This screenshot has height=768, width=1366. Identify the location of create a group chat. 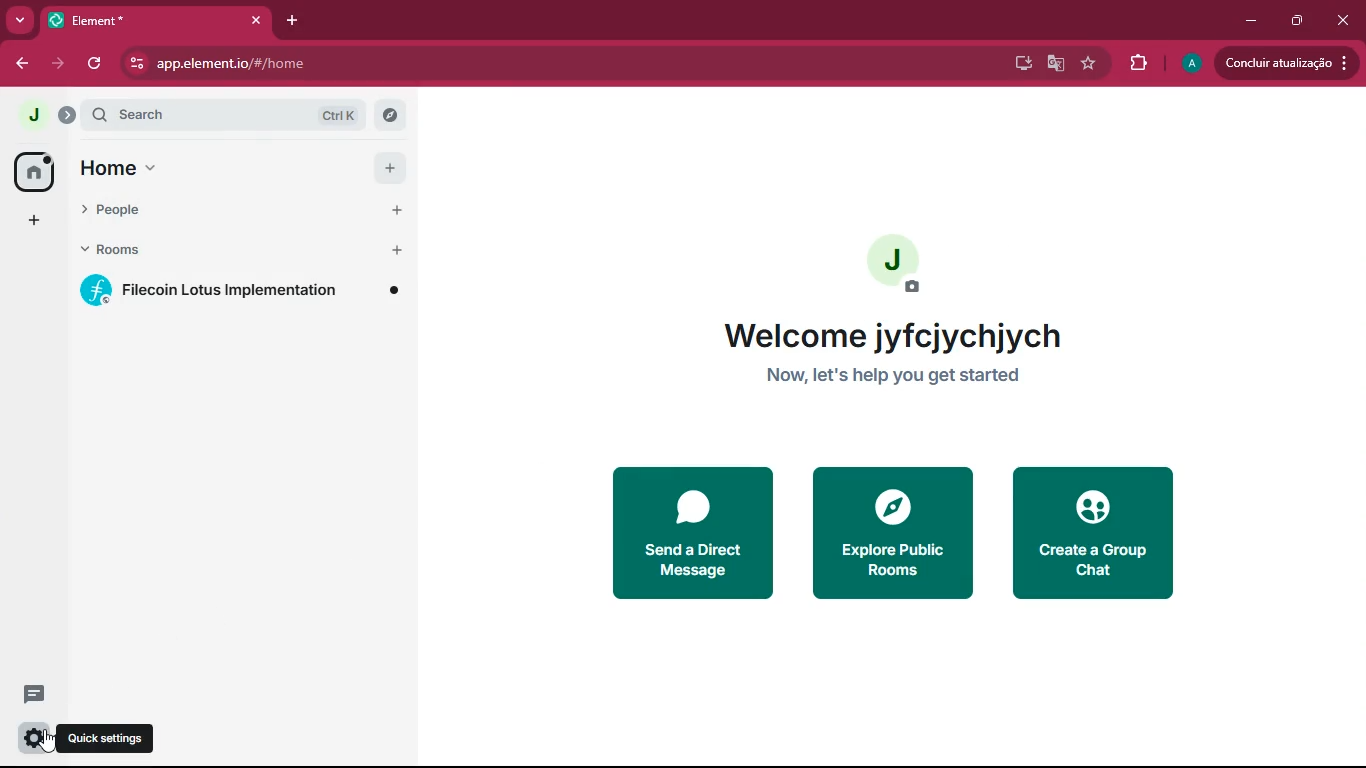
(1097, 534).